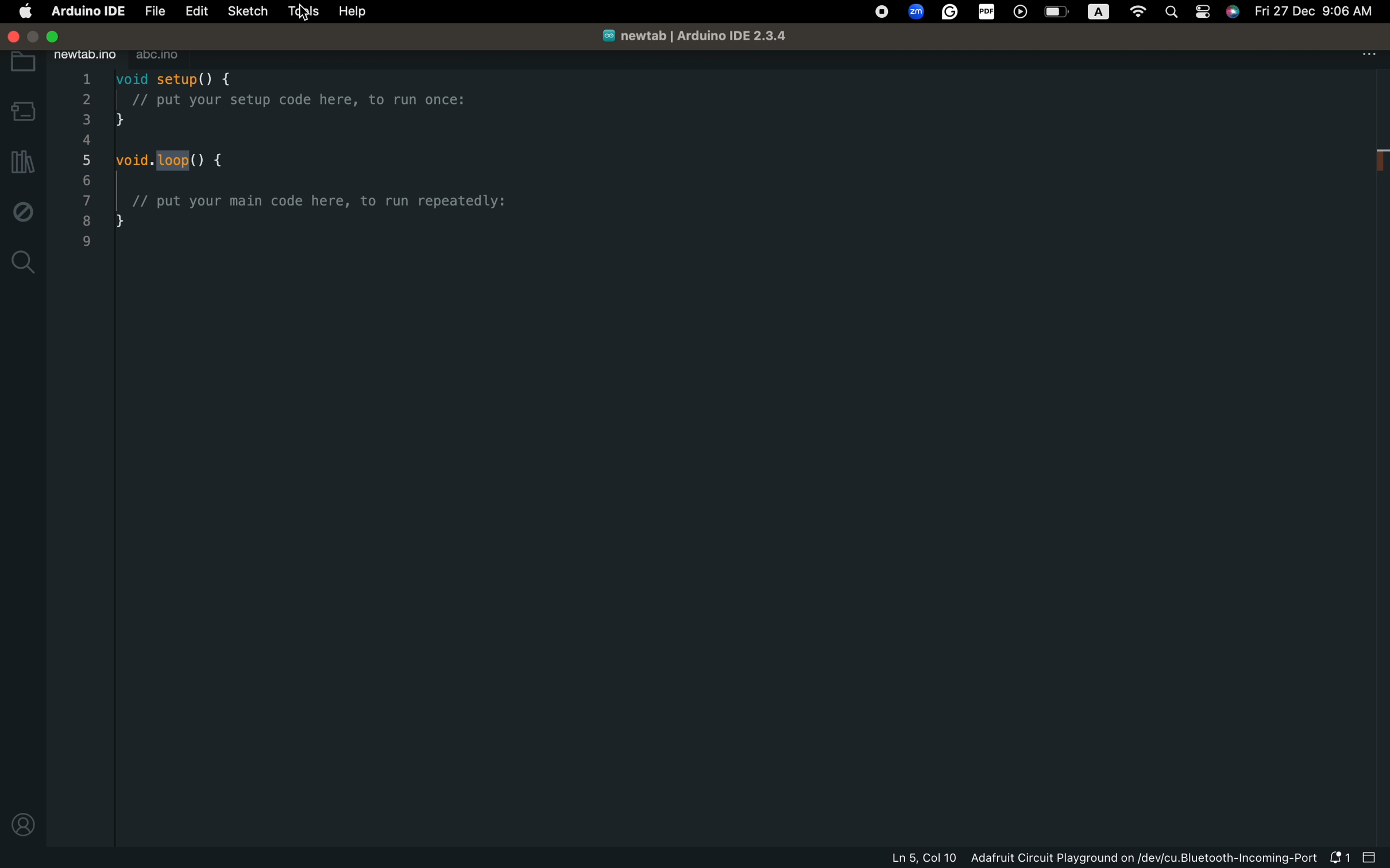 Image resolution: width=1390 pixels, height=868 pixels. I want to click on Grammerly, so click(951, 10).